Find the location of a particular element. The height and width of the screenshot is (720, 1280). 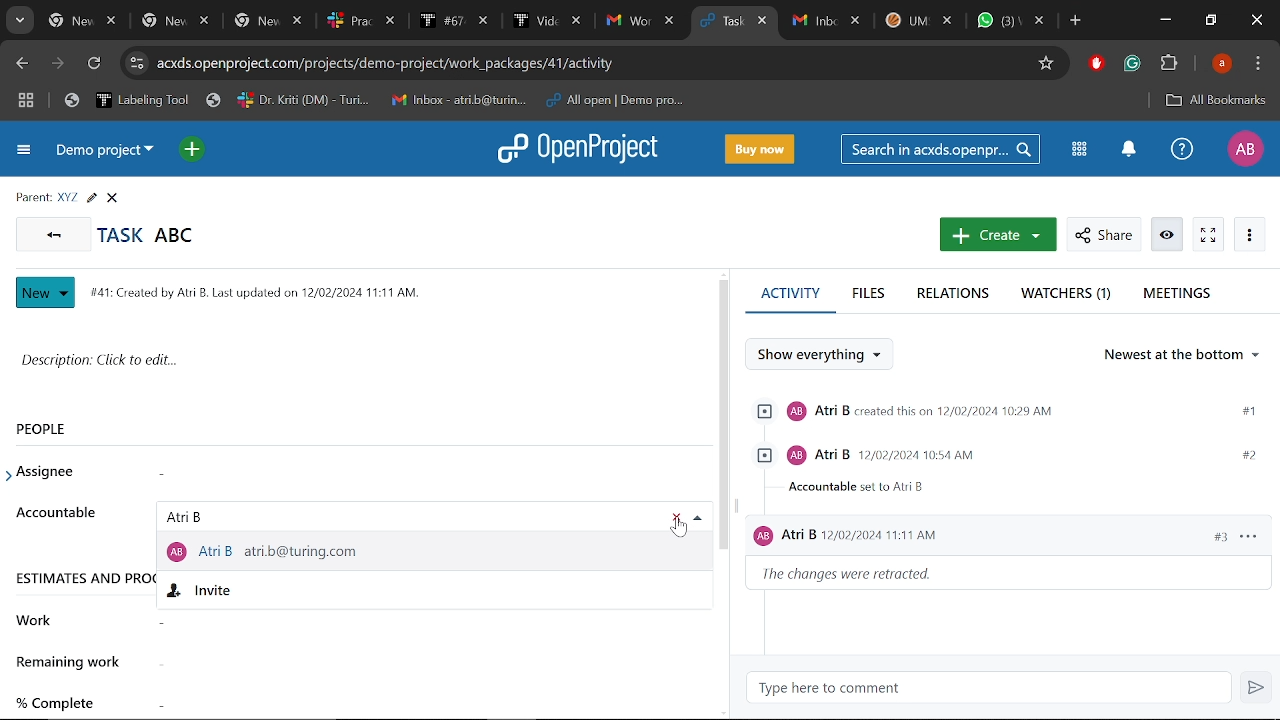

Newest t the bottom is located at coordinates (1183, 359).